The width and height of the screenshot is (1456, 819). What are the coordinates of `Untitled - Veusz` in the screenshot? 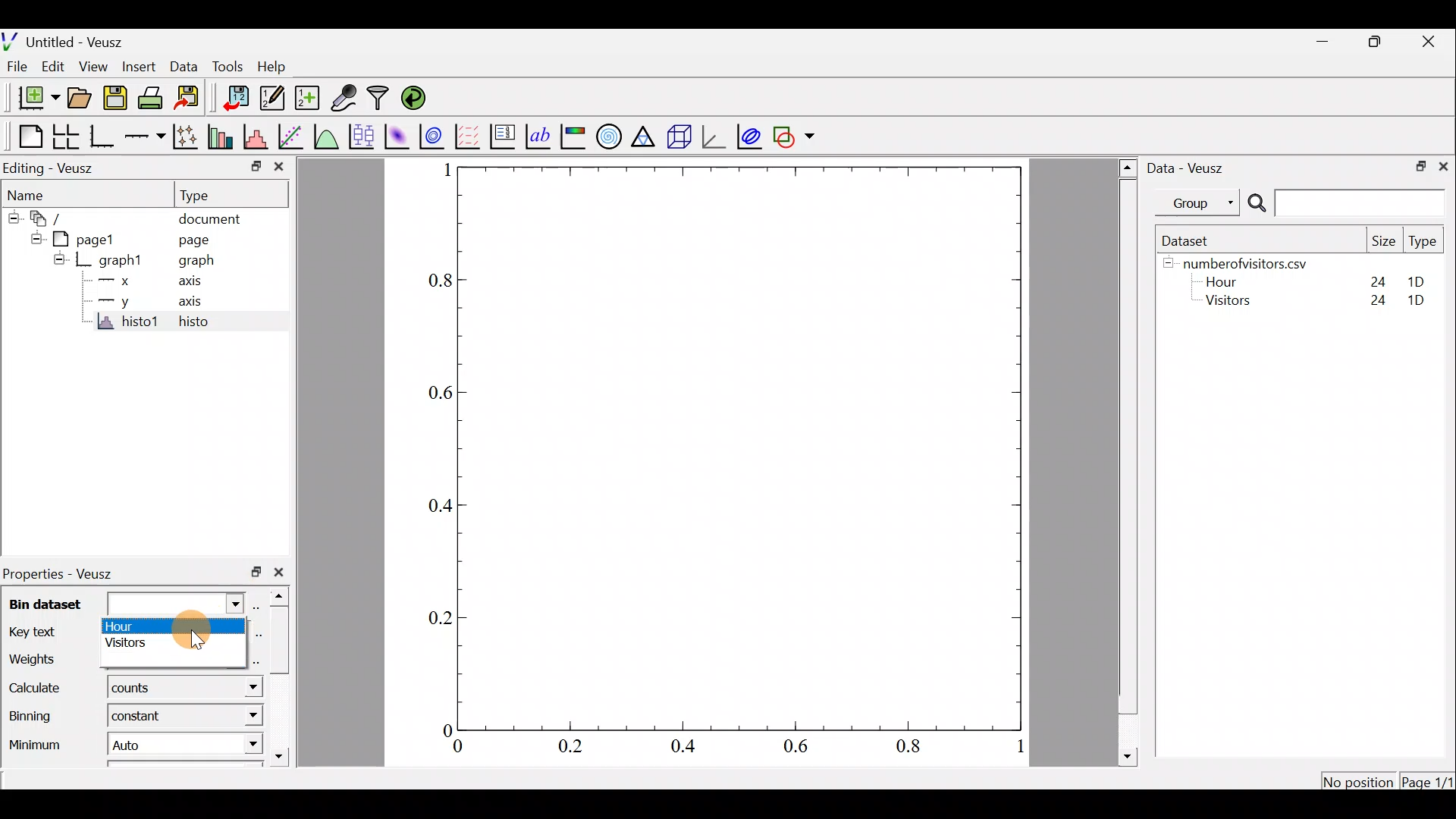 It's located at (67, 40).